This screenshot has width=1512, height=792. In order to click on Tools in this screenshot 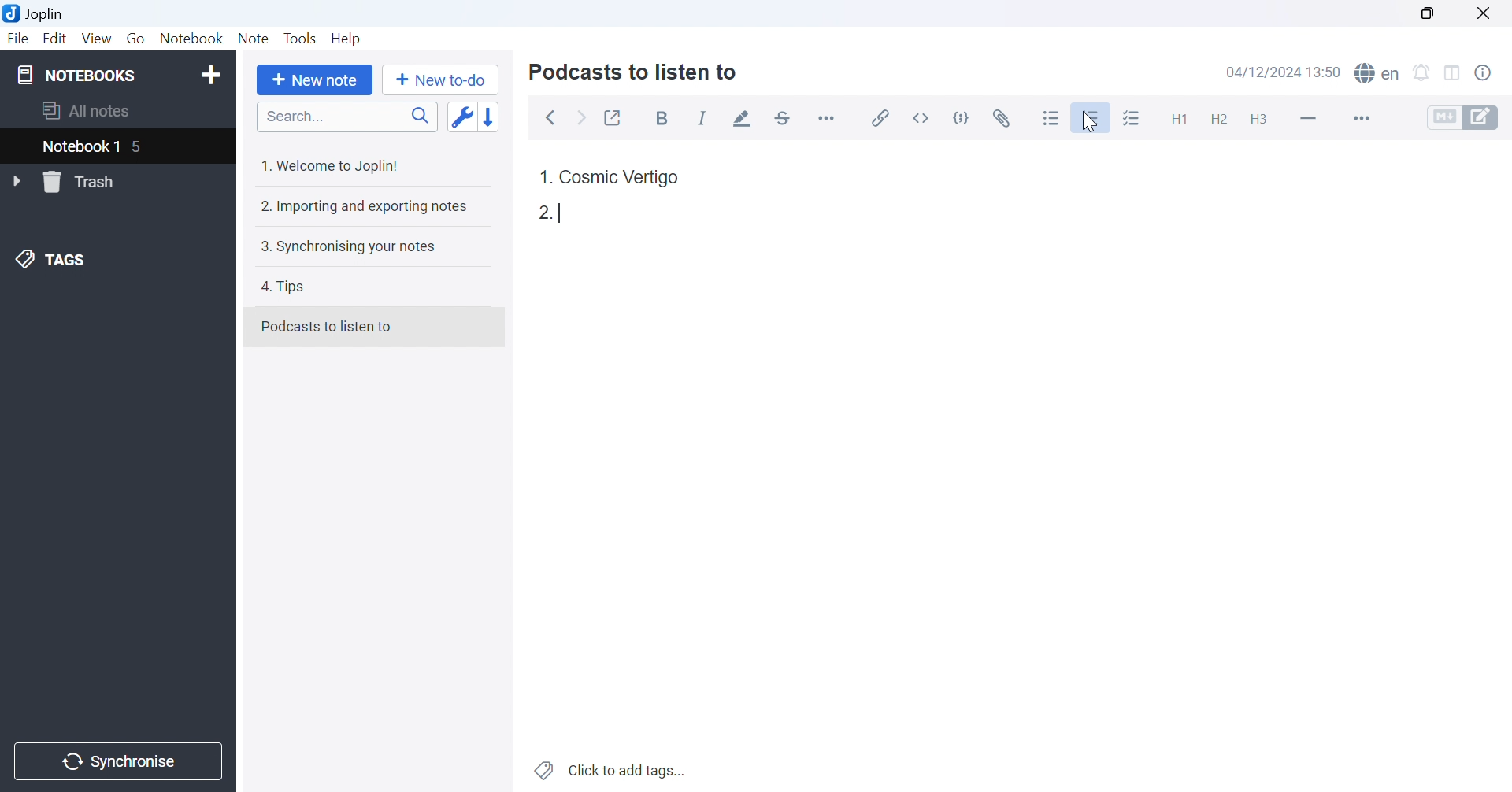, I will do `click(301, 38)`.